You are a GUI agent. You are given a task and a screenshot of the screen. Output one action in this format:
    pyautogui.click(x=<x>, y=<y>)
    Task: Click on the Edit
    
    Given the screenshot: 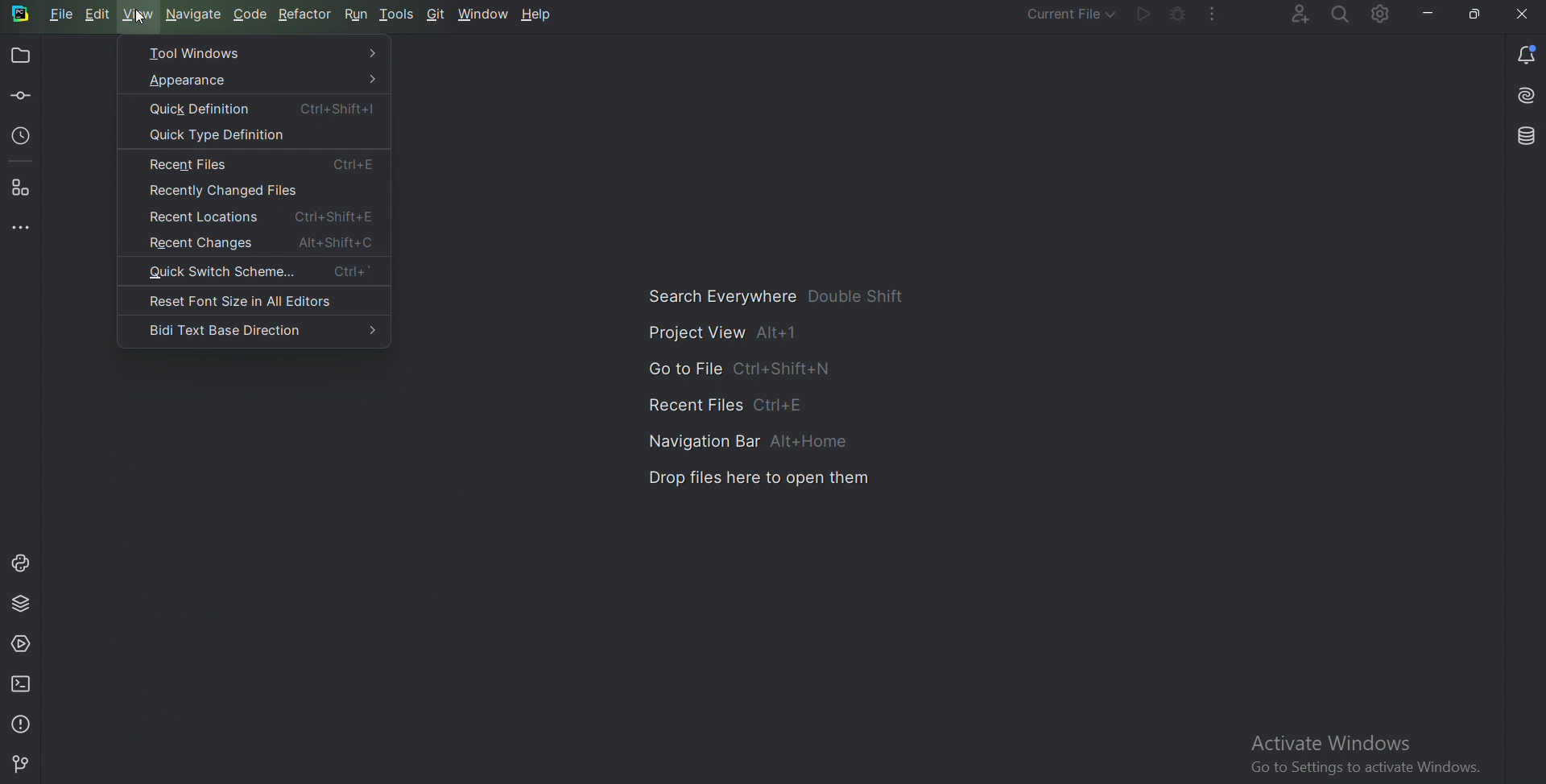 What is the action you would take?
    pyautogui.click(x=98, y=16)
    